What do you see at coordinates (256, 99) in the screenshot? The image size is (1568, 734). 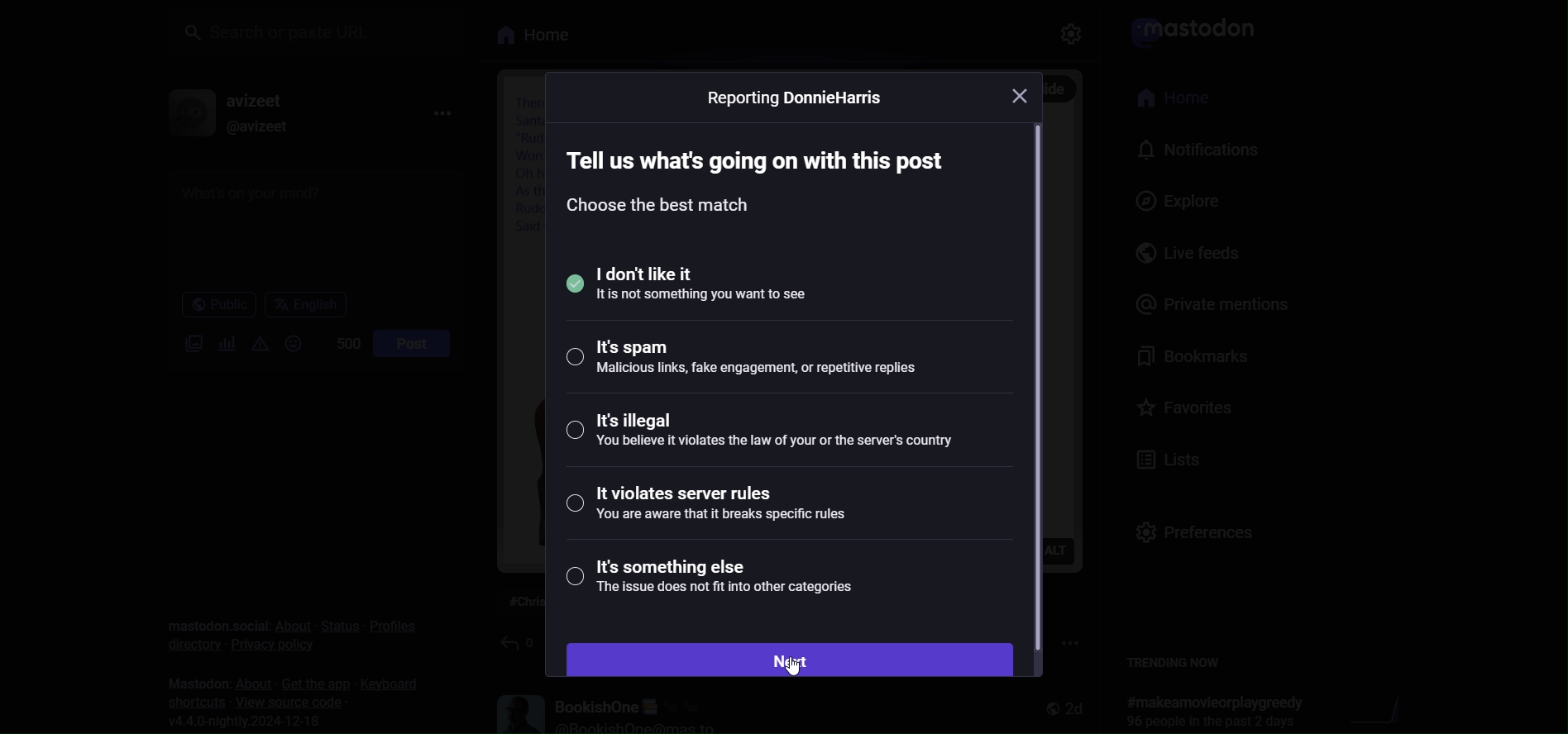 I see `avizeet` at bounding box center [256, 99].